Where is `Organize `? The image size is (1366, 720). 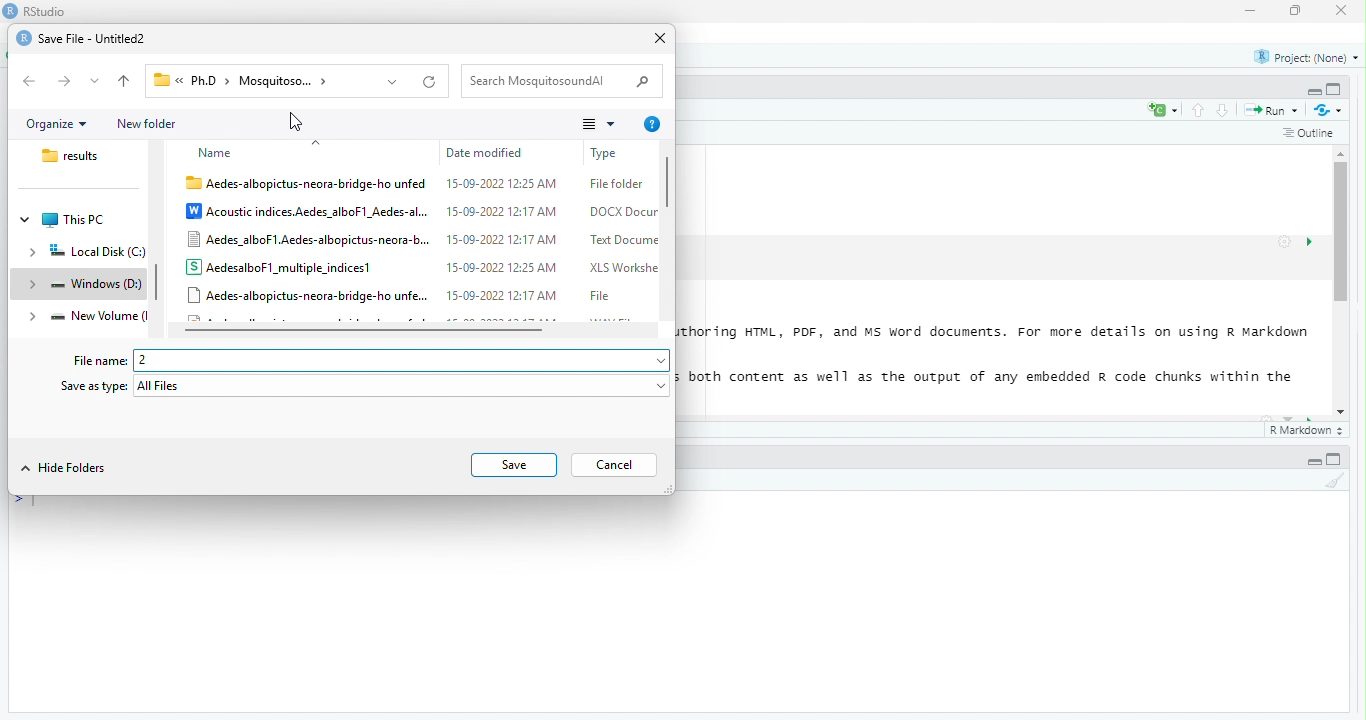
Organize  is located at coordinates (57, 125).